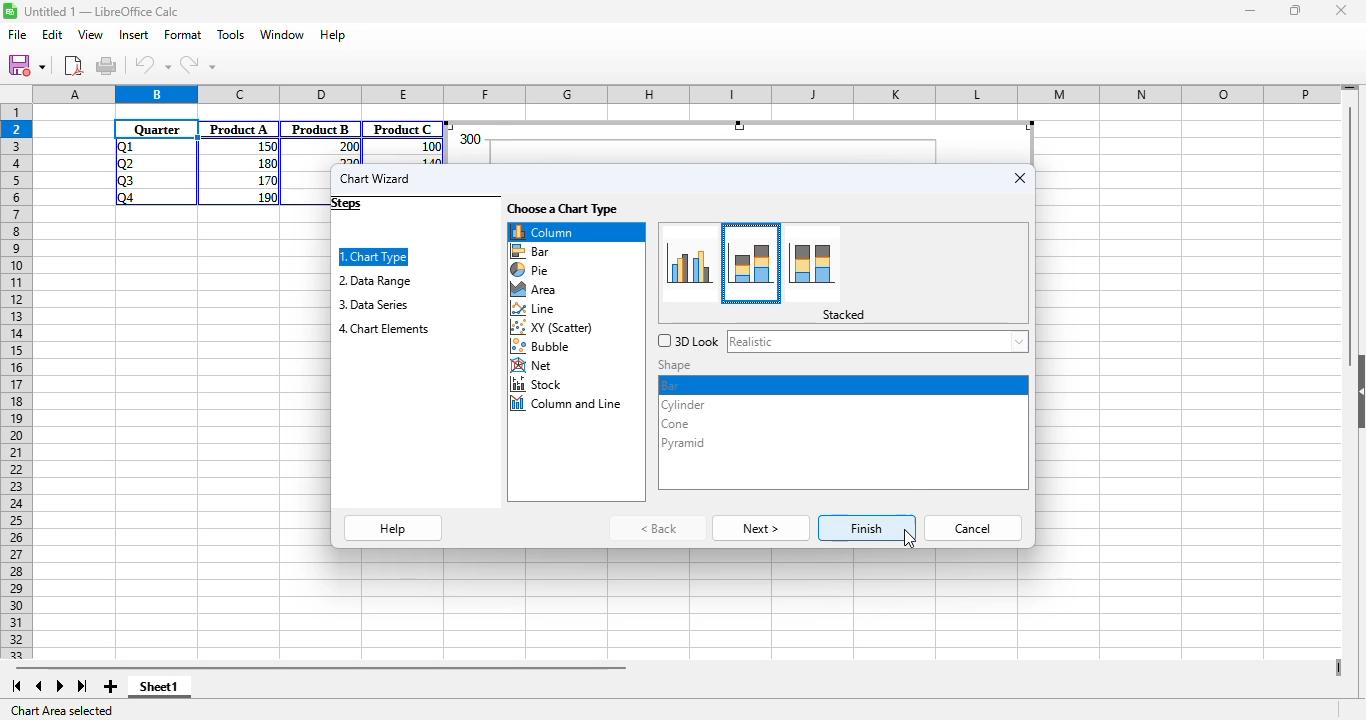  Describe the element at coordinates (267, 197) in the screenshot. I see `190` at that location.